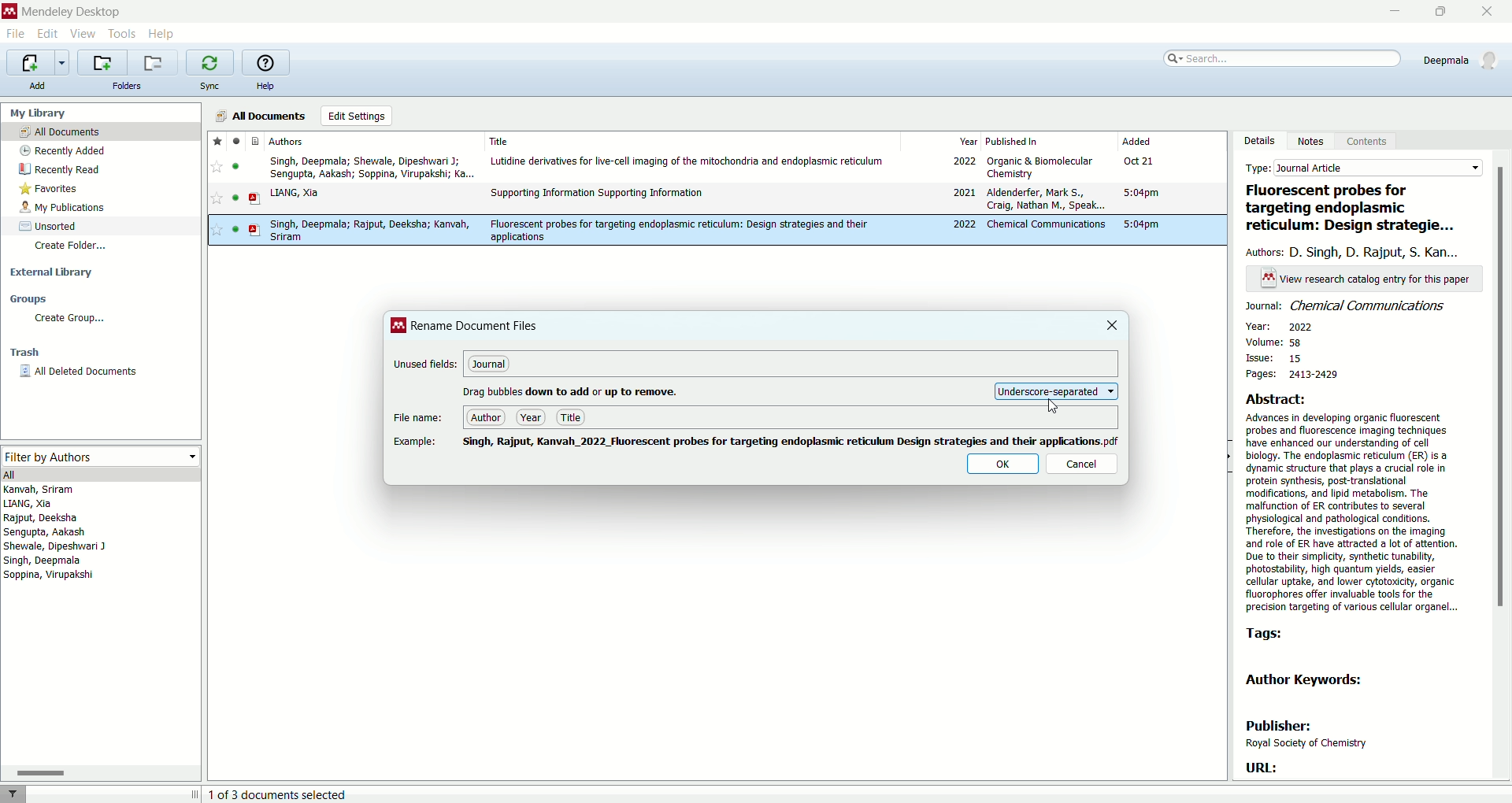 This screenshot has height=803, width=1512. Describe the element at coordinates (68, 320) in the screenshot. I see `create group` at that location.